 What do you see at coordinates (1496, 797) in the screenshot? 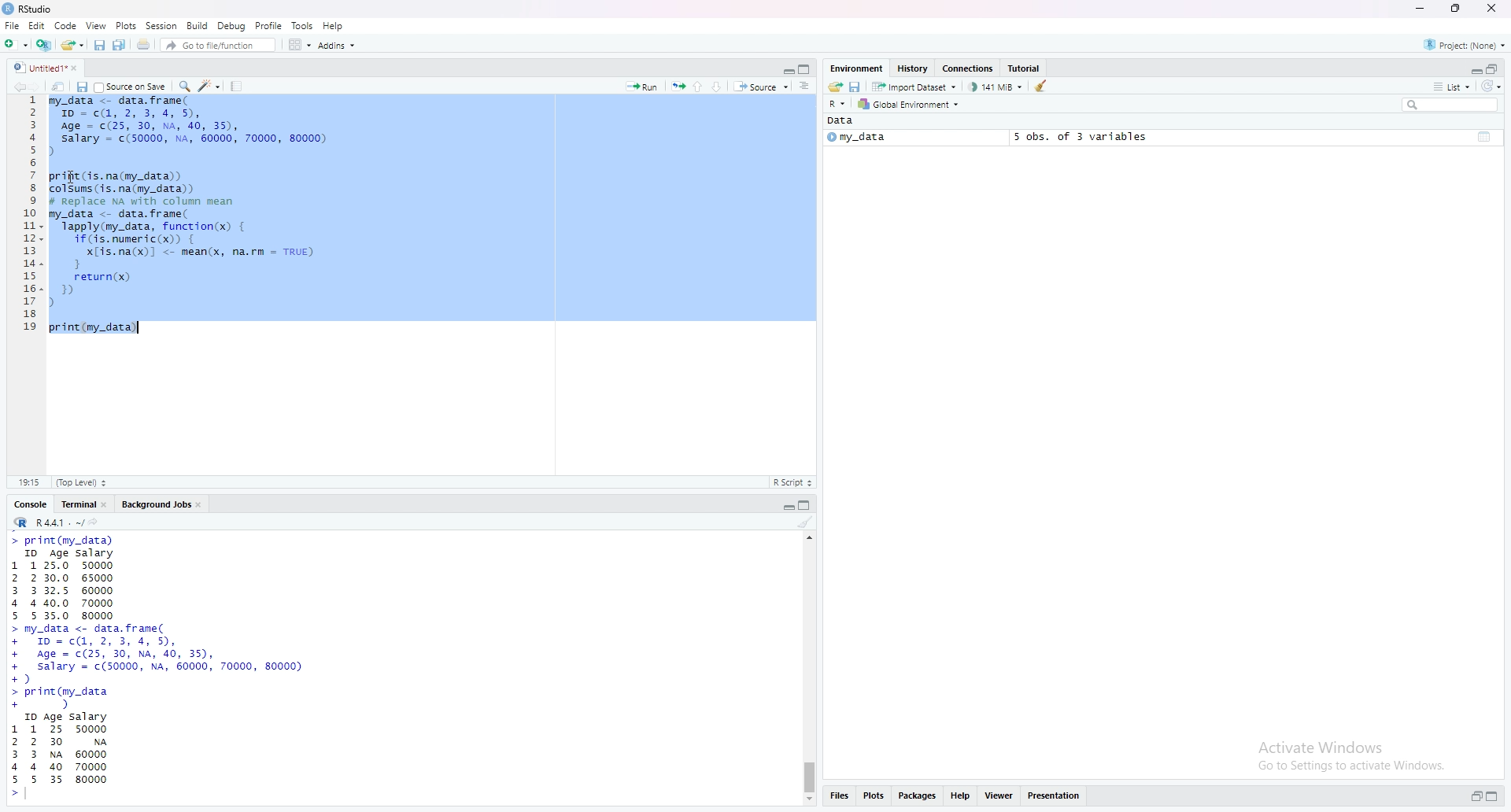
I see `collapse` at bounding box center [1496, 797].